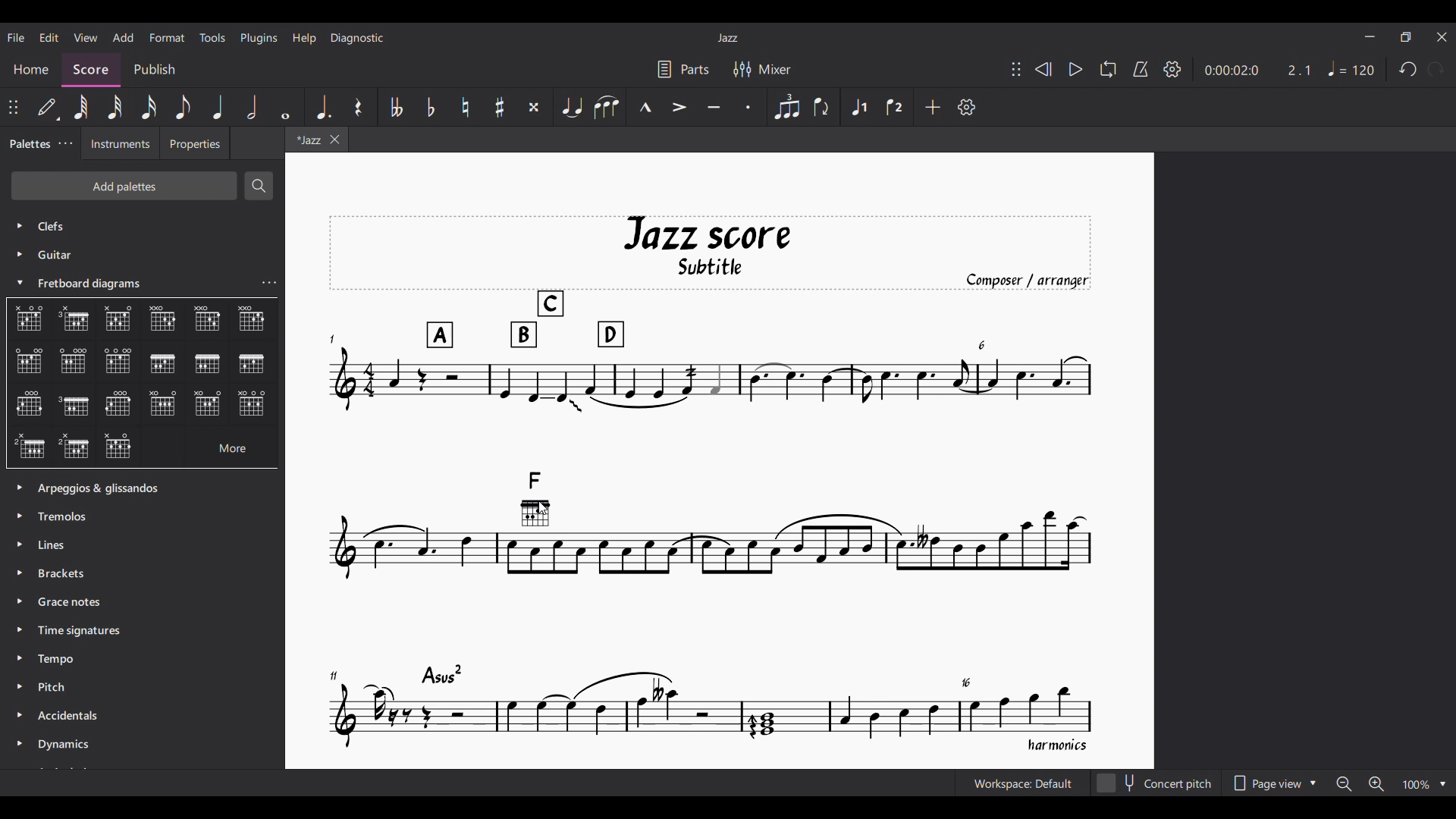  Describe the element at coordinates (28, 405) in the screenshot. I see `Chart 12` at that location.